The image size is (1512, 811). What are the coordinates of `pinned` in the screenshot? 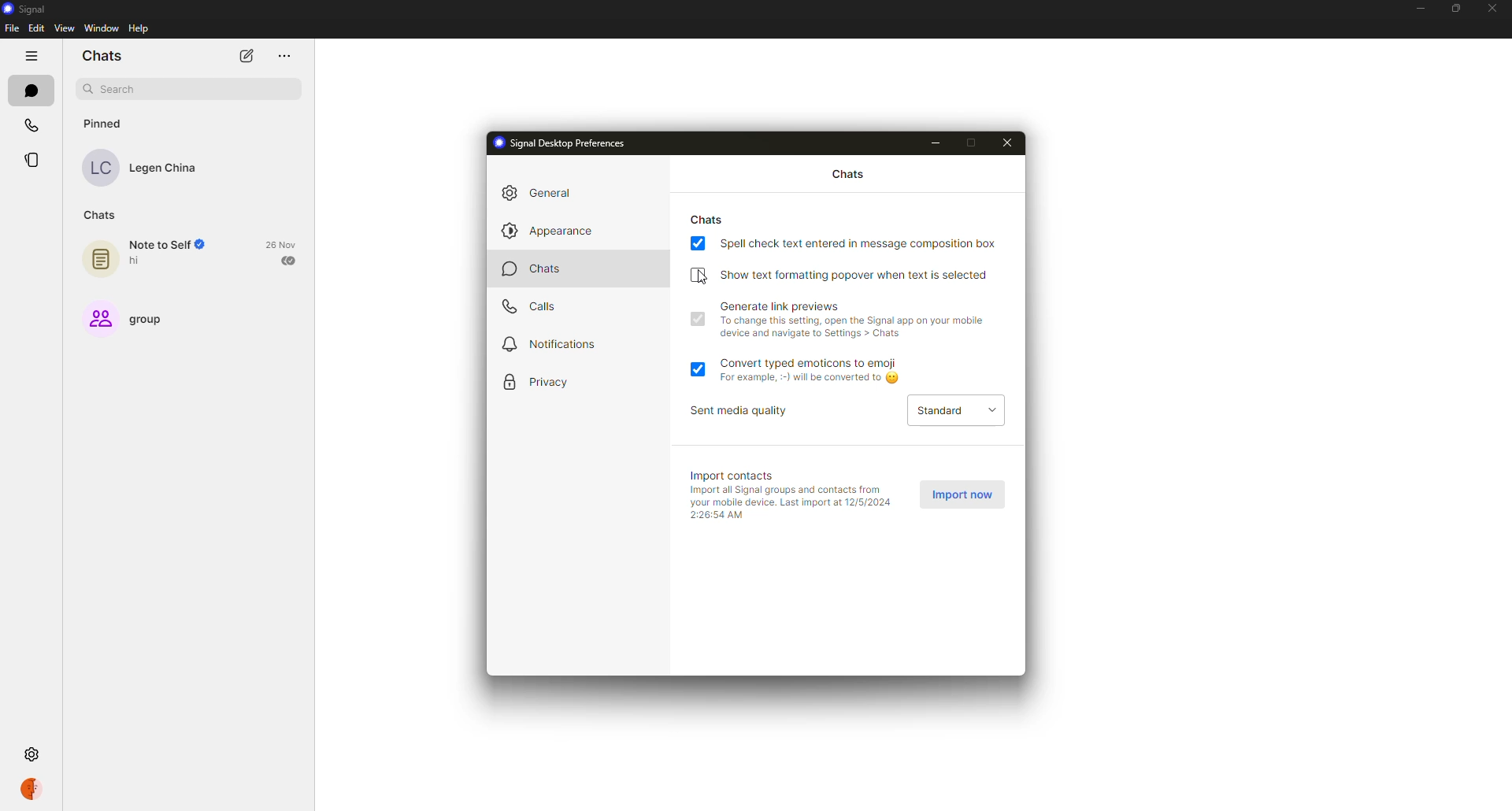 It's located at (102, 123).